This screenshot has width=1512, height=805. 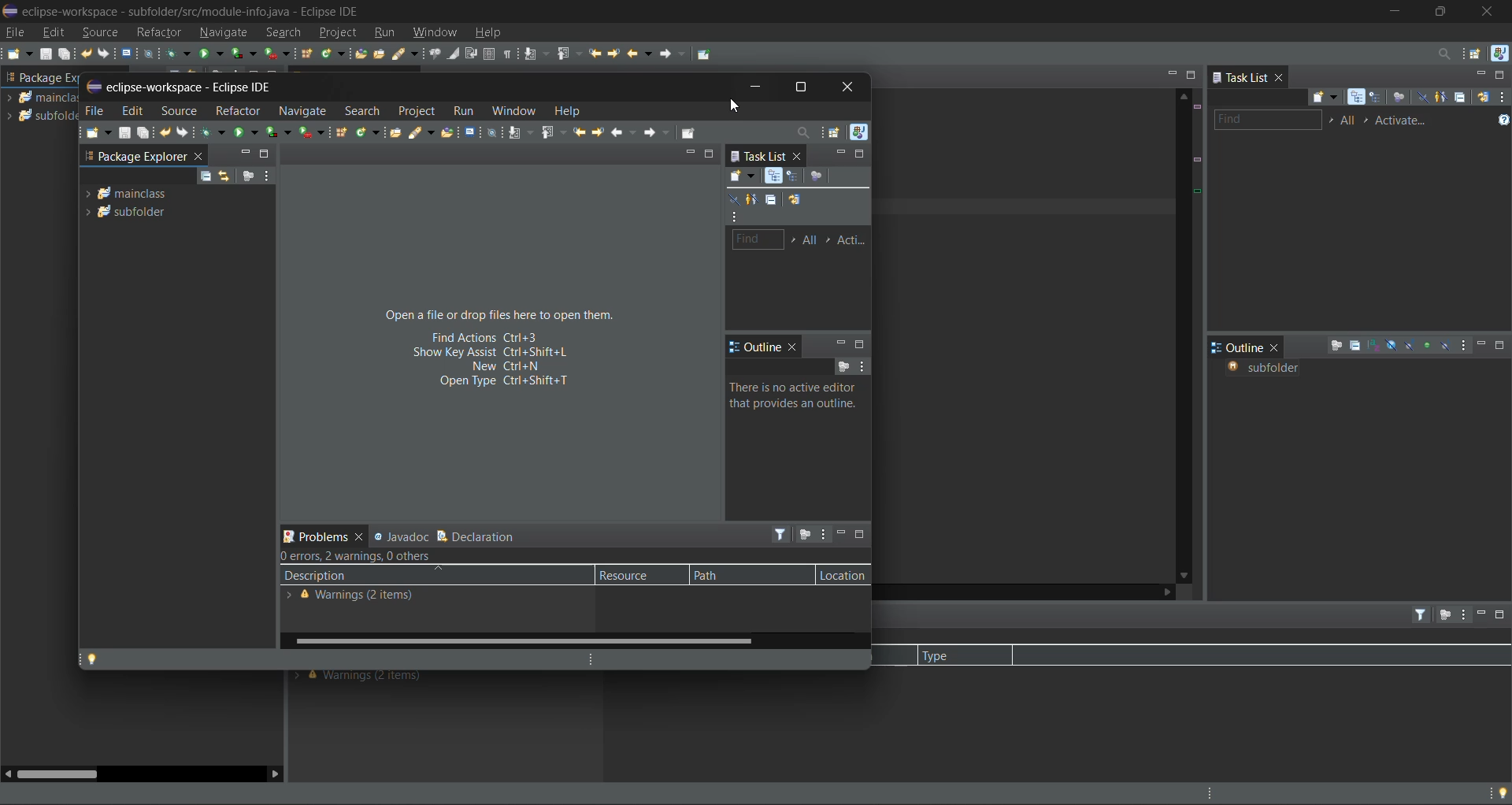 I want to click on view menu, so click(x=825, y=533).